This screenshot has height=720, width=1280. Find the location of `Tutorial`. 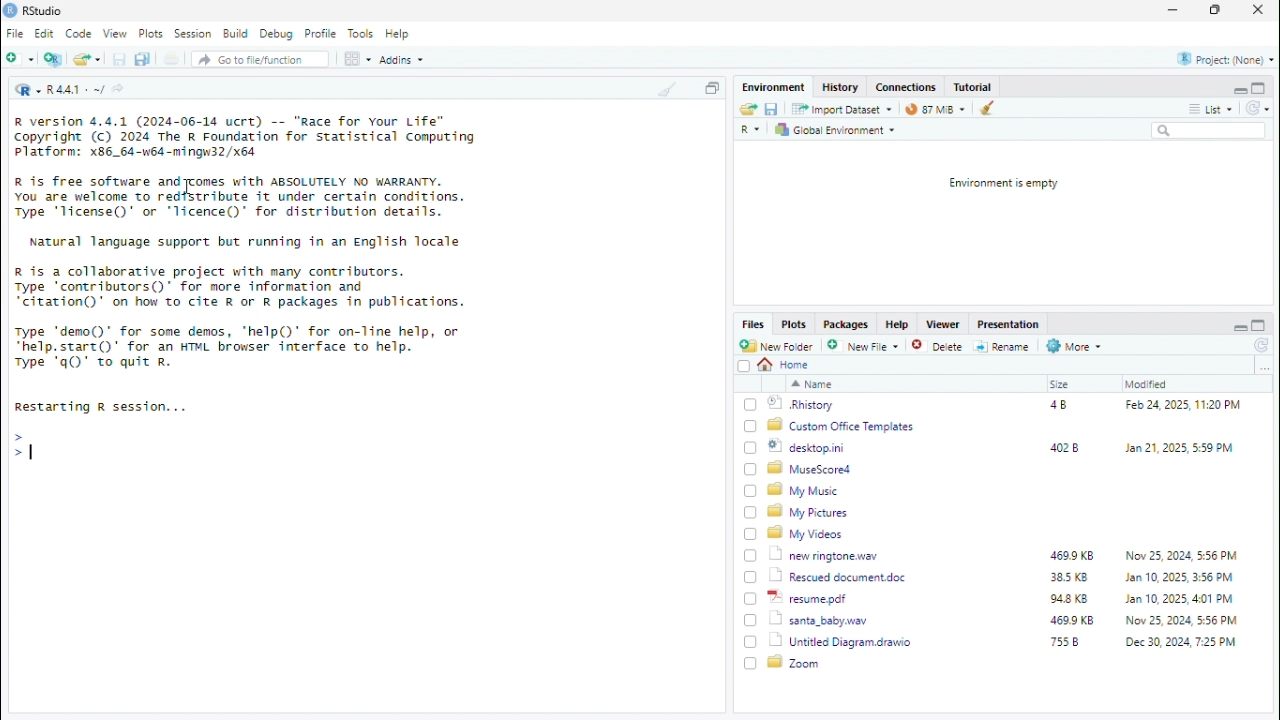

Tutorial is located at coordinates (974, 87).